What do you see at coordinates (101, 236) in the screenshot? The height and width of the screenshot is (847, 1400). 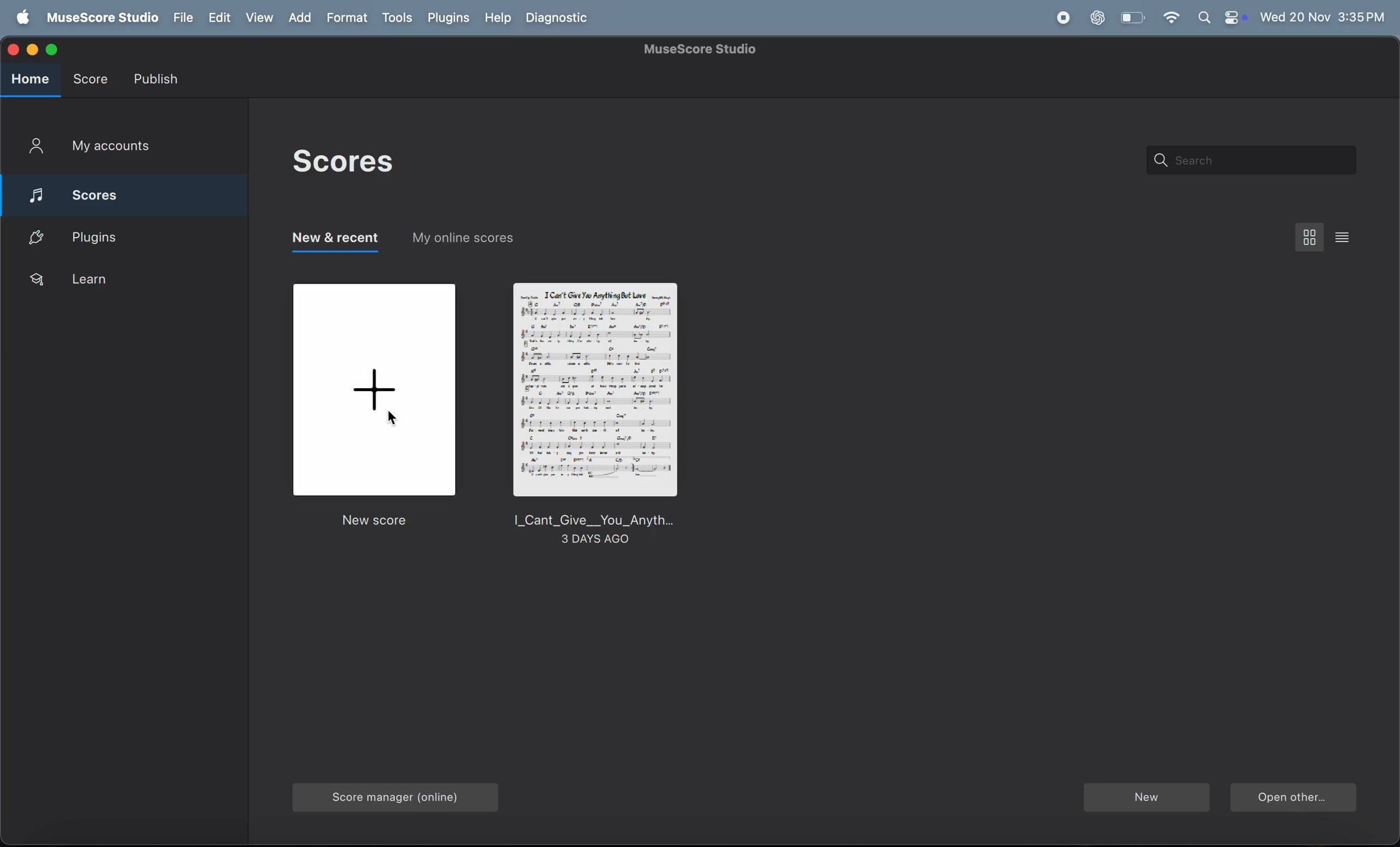 I see `plugins` at bounding box center [101, 236].